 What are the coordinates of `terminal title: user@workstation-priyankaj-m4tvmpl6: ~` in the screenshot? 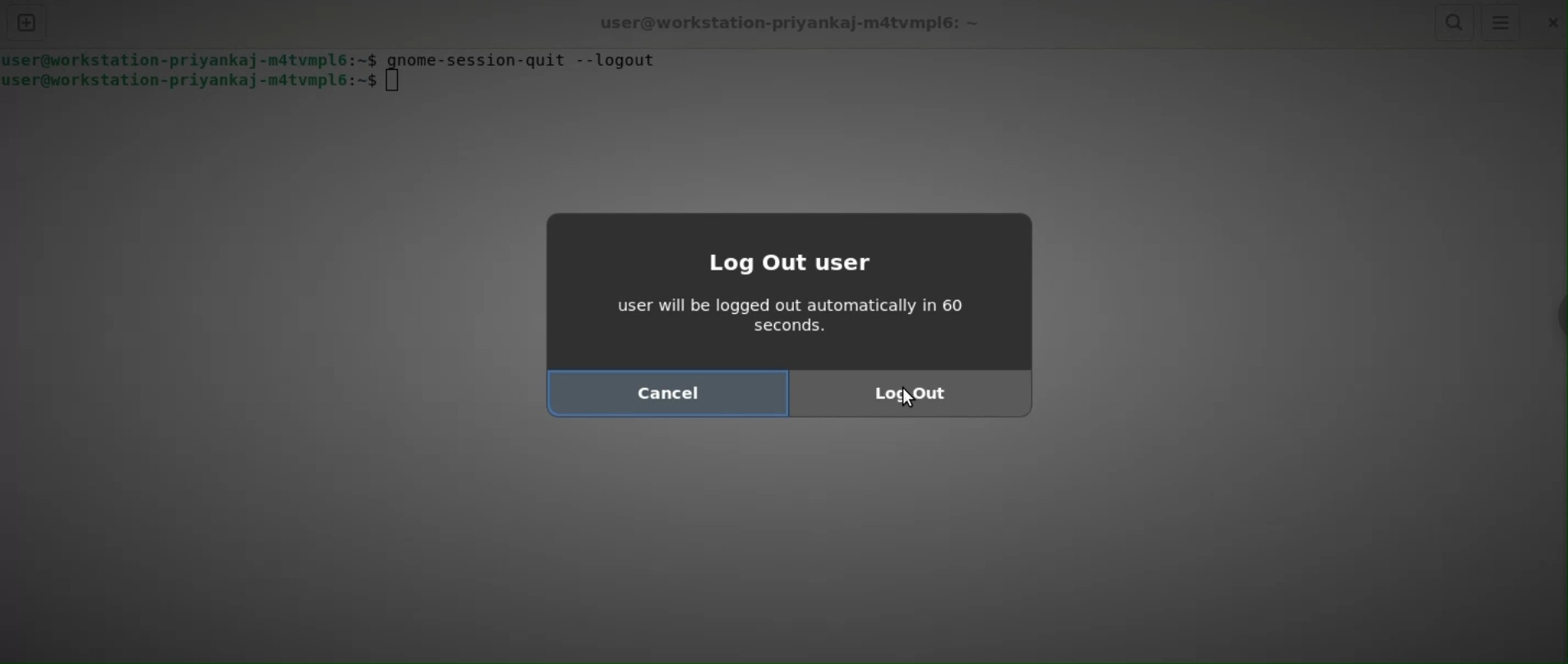 It's located at (793, 21).